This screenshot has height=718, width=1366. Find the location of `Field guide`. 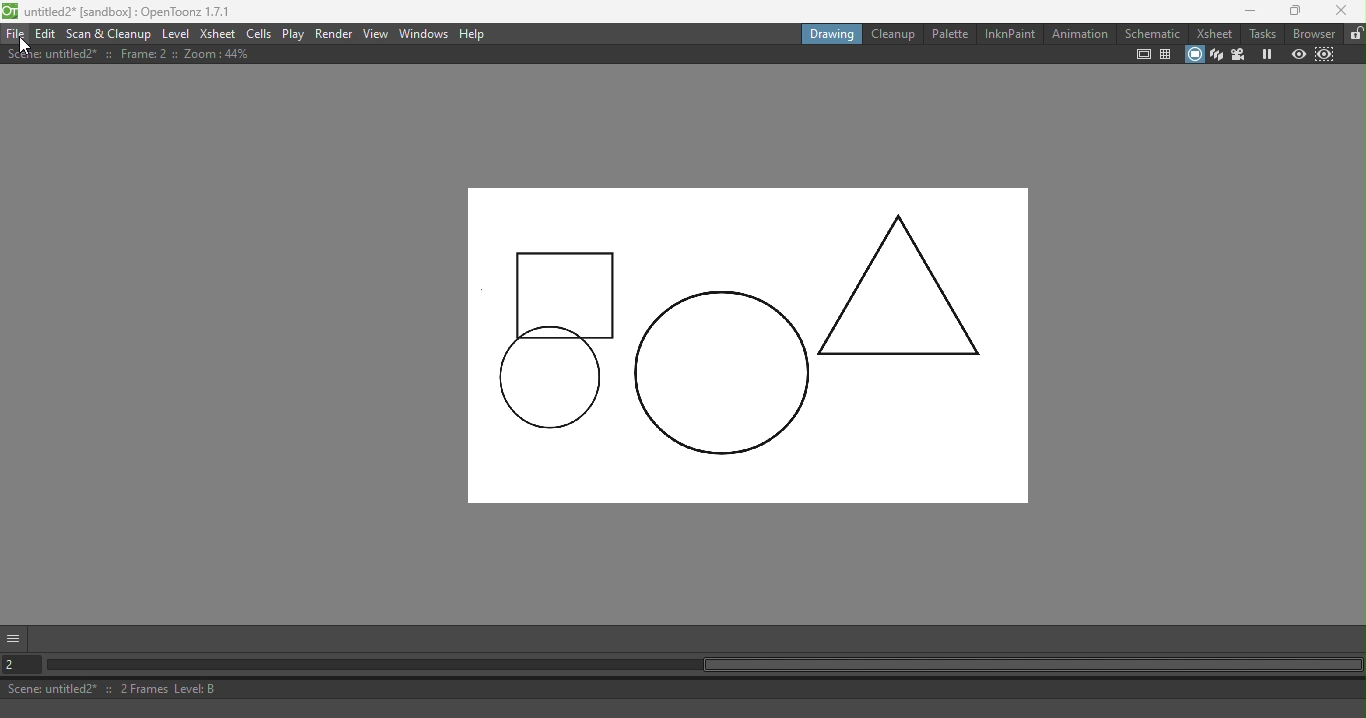

Field guide is located at coordinates (1166, 55).